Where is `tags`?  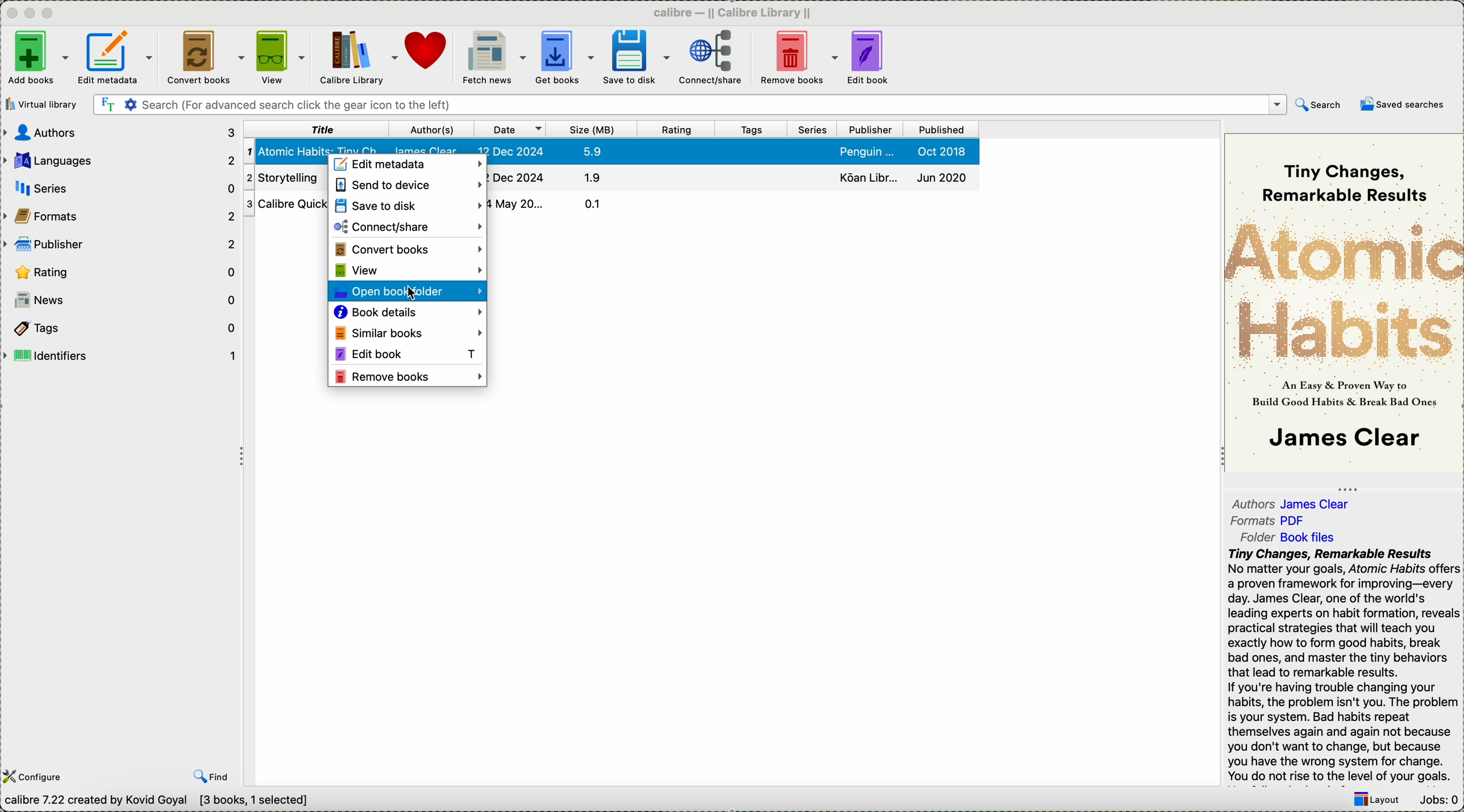
tags is located at coordinates (119, 327).